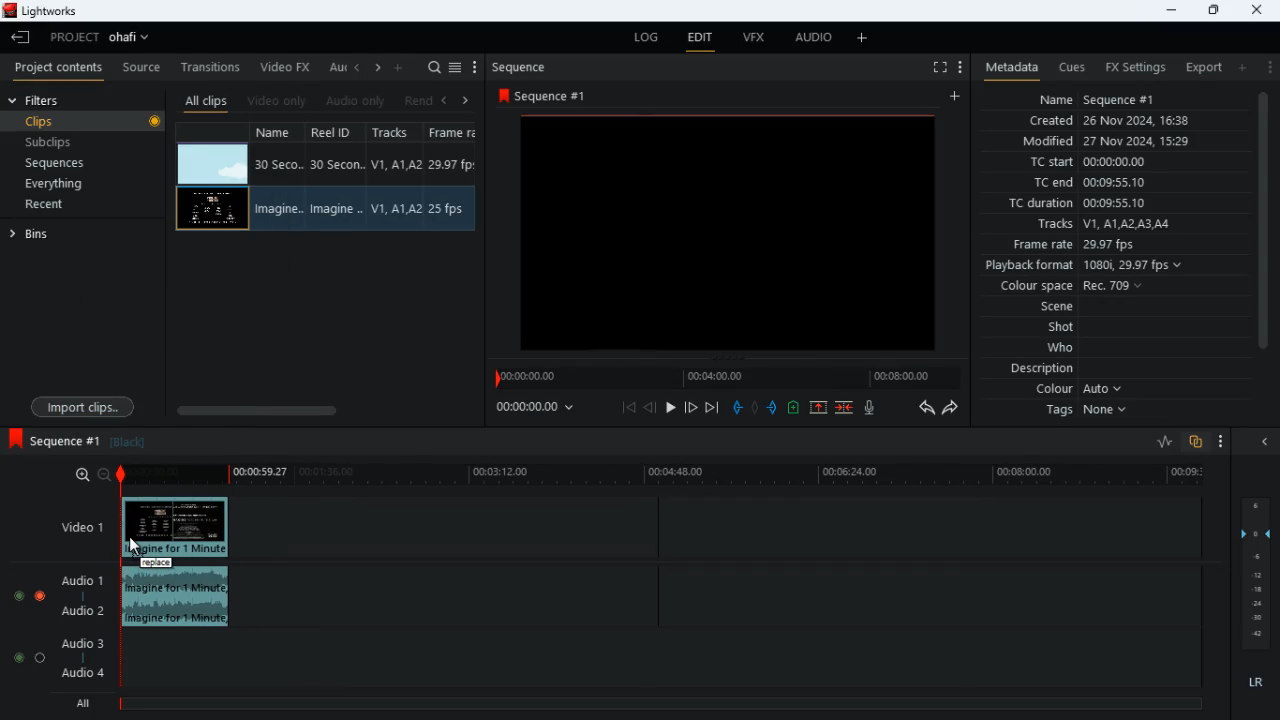 The height and width of the screenshot is (720, 1280). Describe the element at coordinates (454, 132) in the screenshot. I see `fps` at that location.